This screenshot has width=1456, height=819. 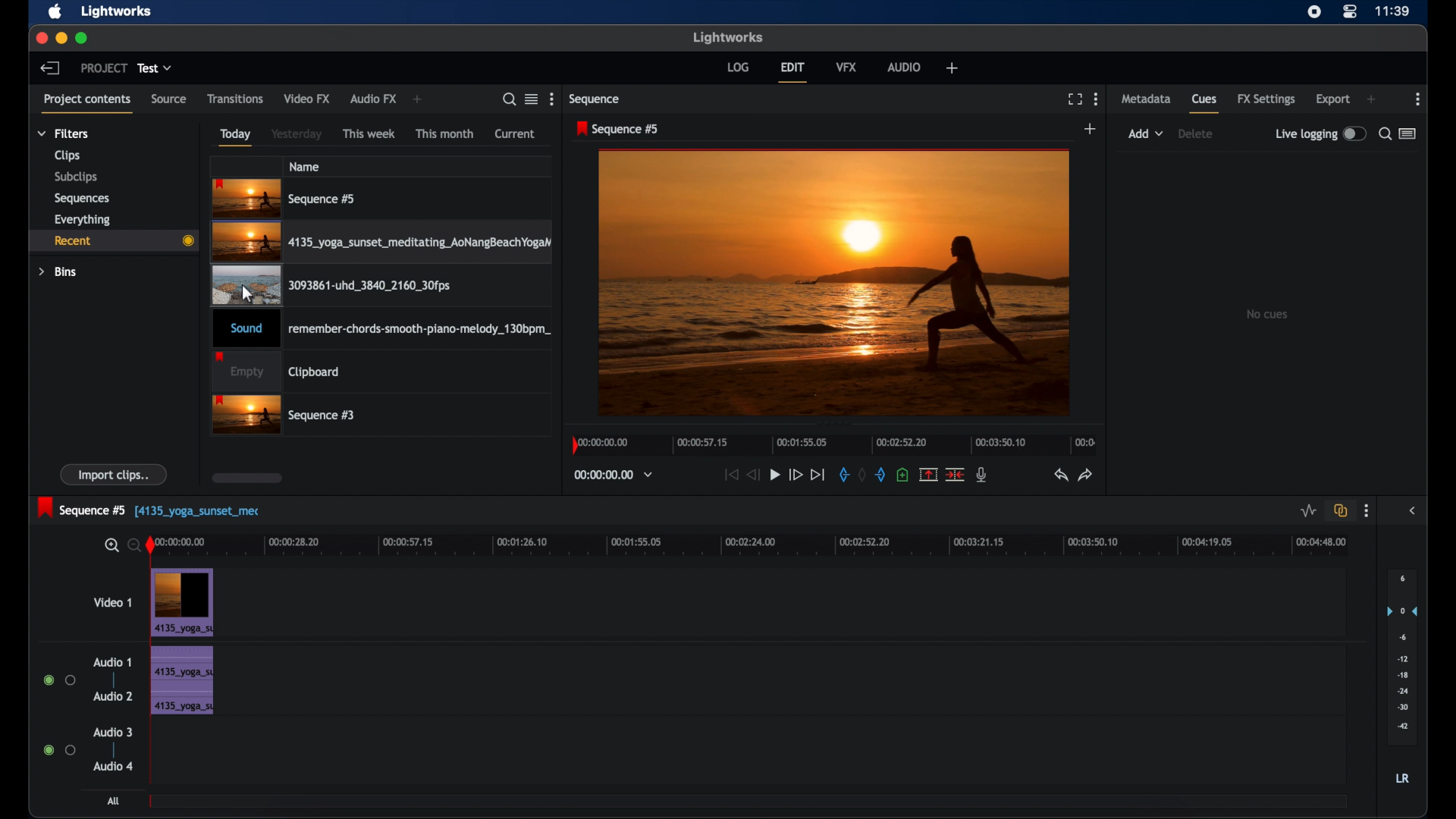 What do you see at coordinates (1418, 99) in the screenshot?
I see `moreoptions` at bounding box center [1418, 99].